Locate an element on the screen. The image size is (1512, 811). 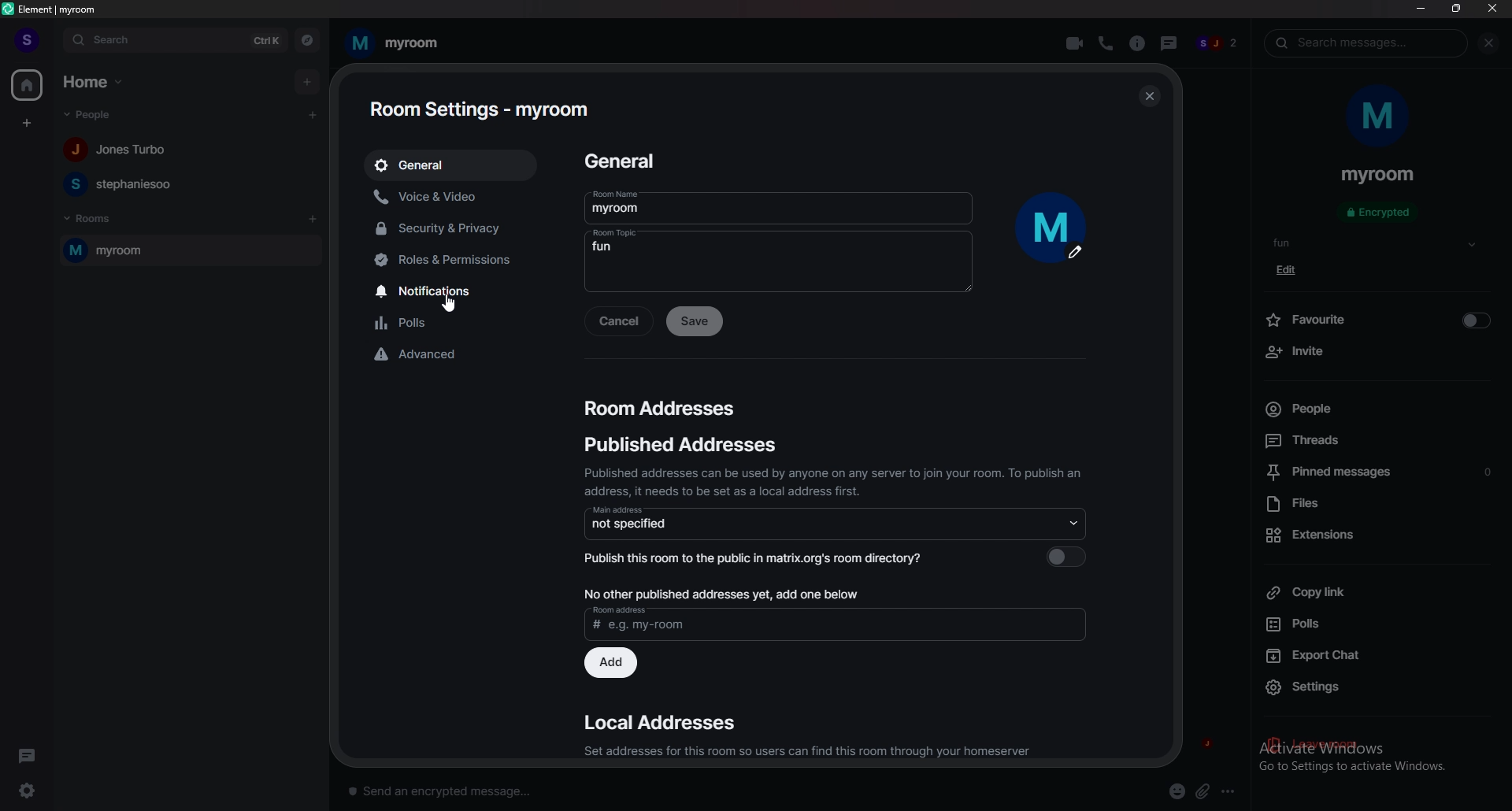
copy link is located at coordinates (1377, 591).